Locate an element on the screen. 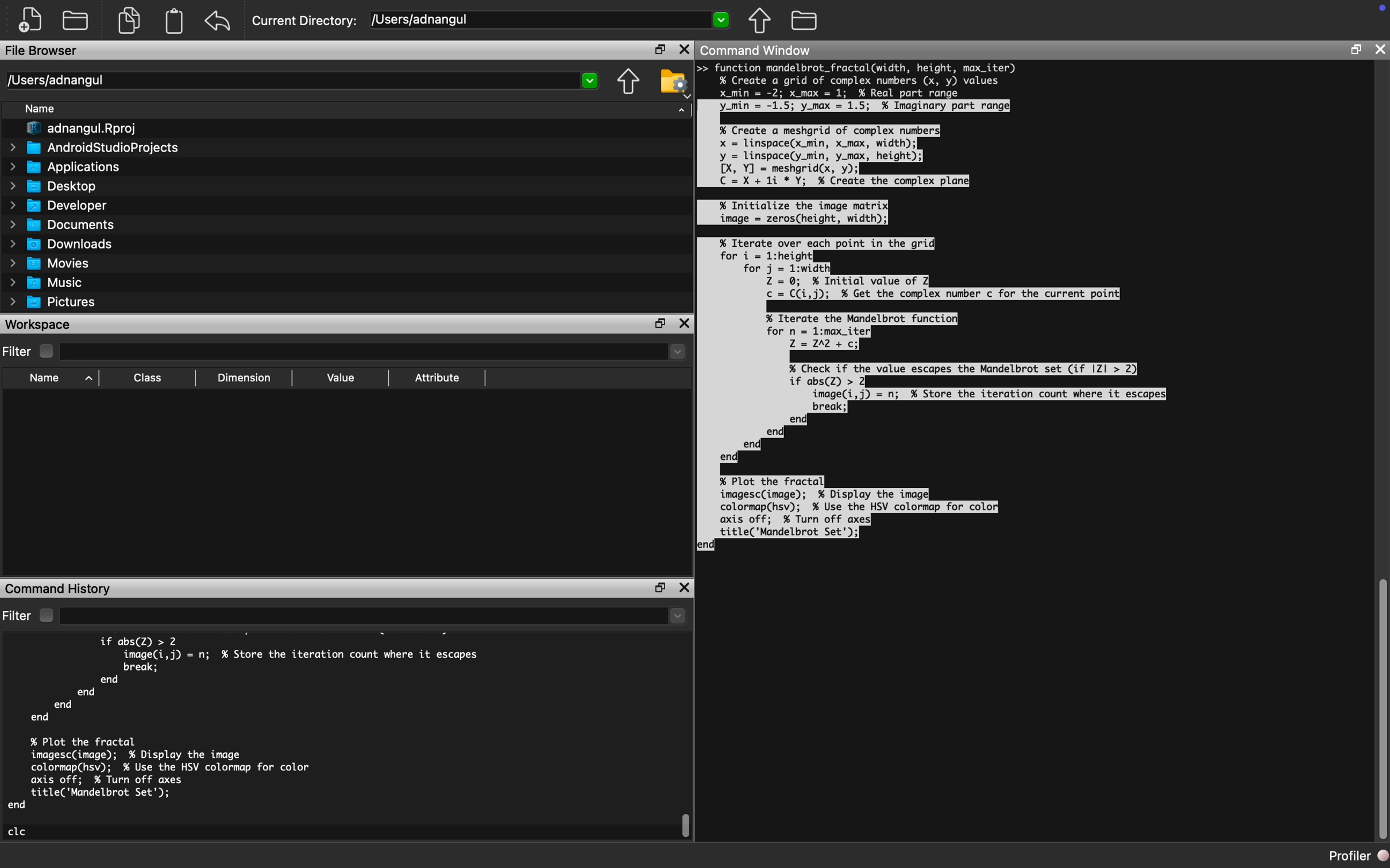  Parent Directory is located at coordinates (761, 22).